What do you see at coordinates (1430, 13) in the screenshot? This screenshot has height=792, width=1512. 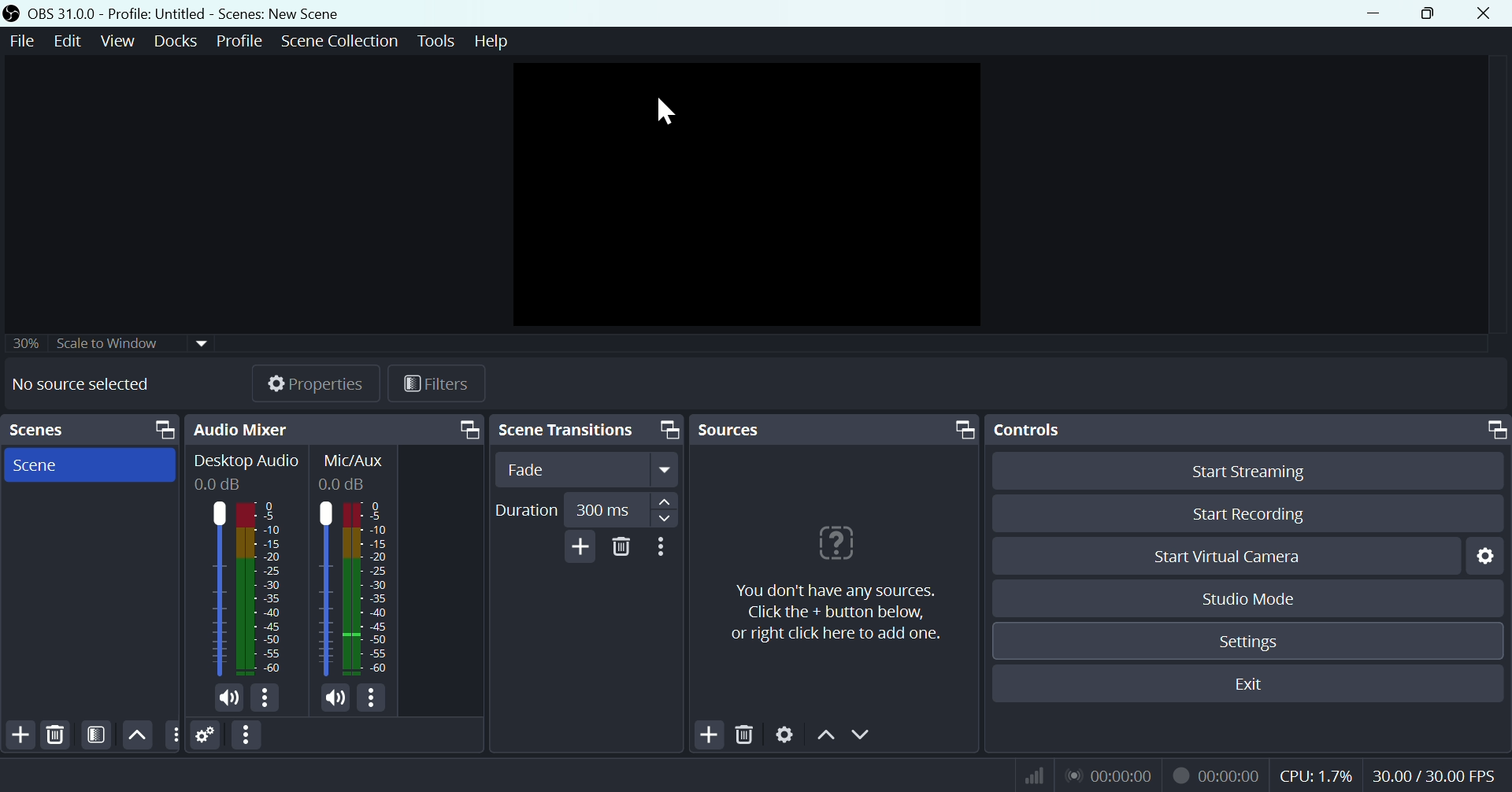 I see `Maximise` at bounding box center [1430, 13].